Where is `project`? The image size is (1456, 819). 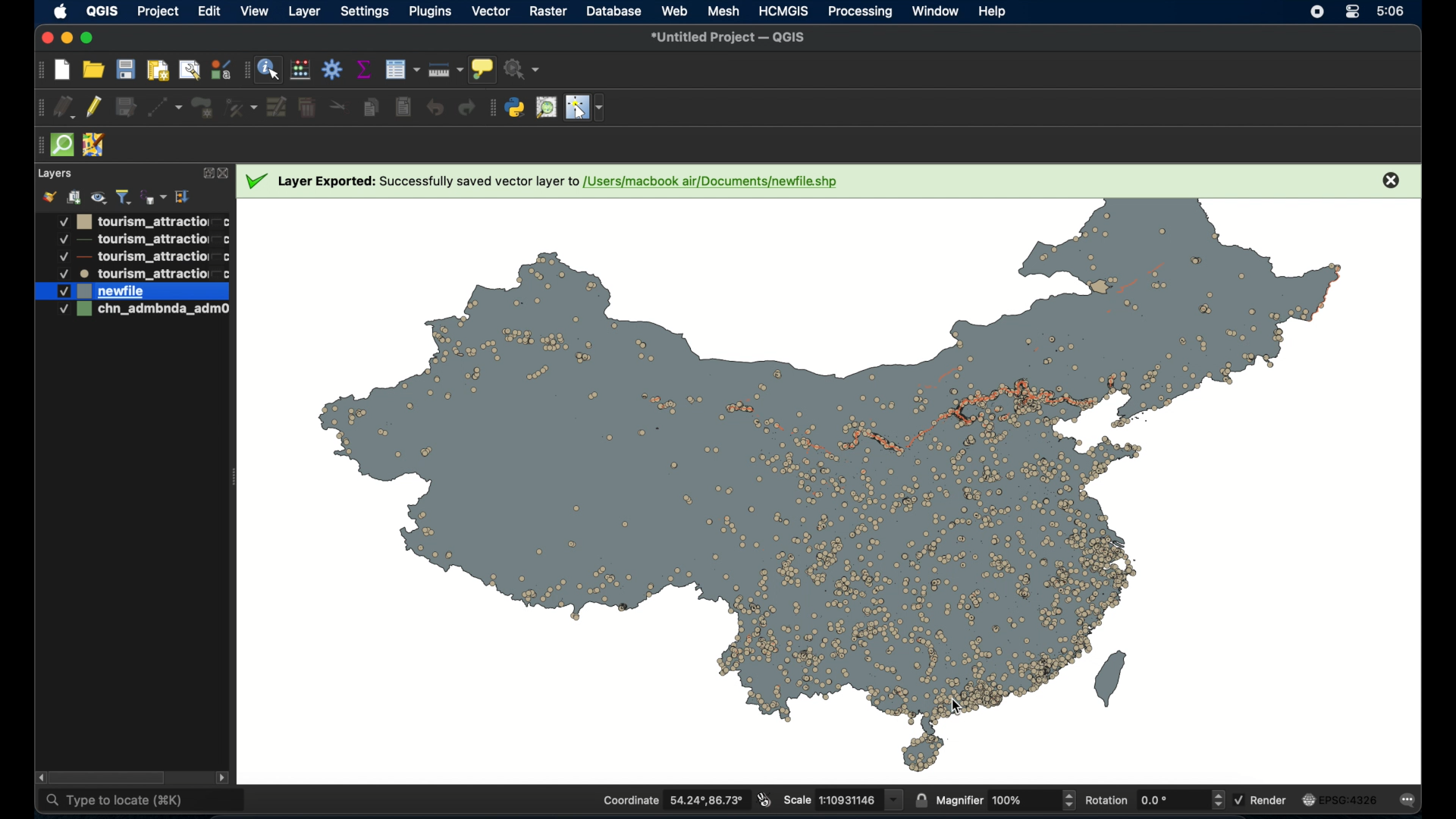 project is located at coordinates (155, 11).